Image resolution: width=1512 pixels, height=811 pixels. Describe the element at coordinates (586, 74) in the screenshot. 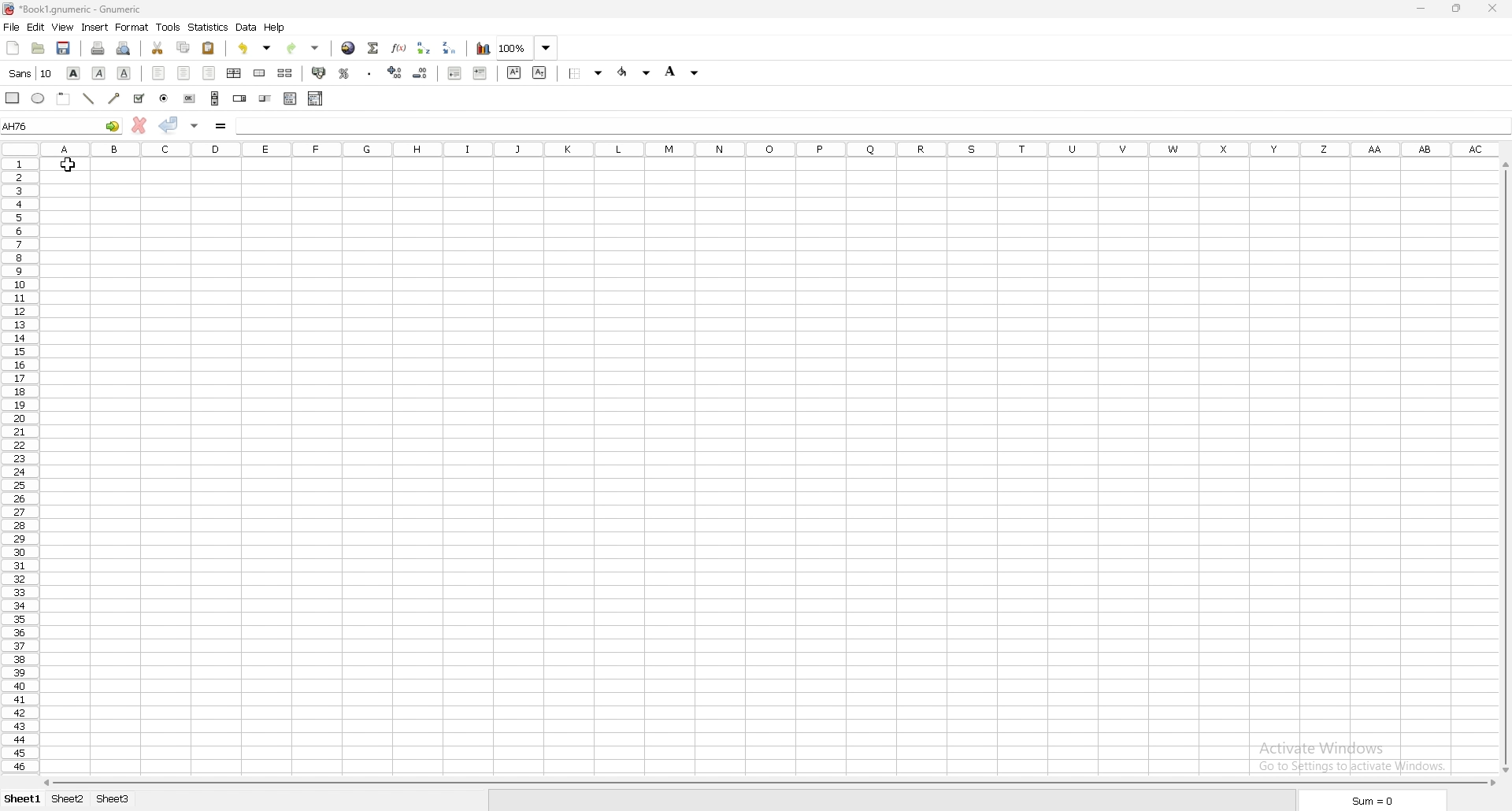

I see `border` at that location.